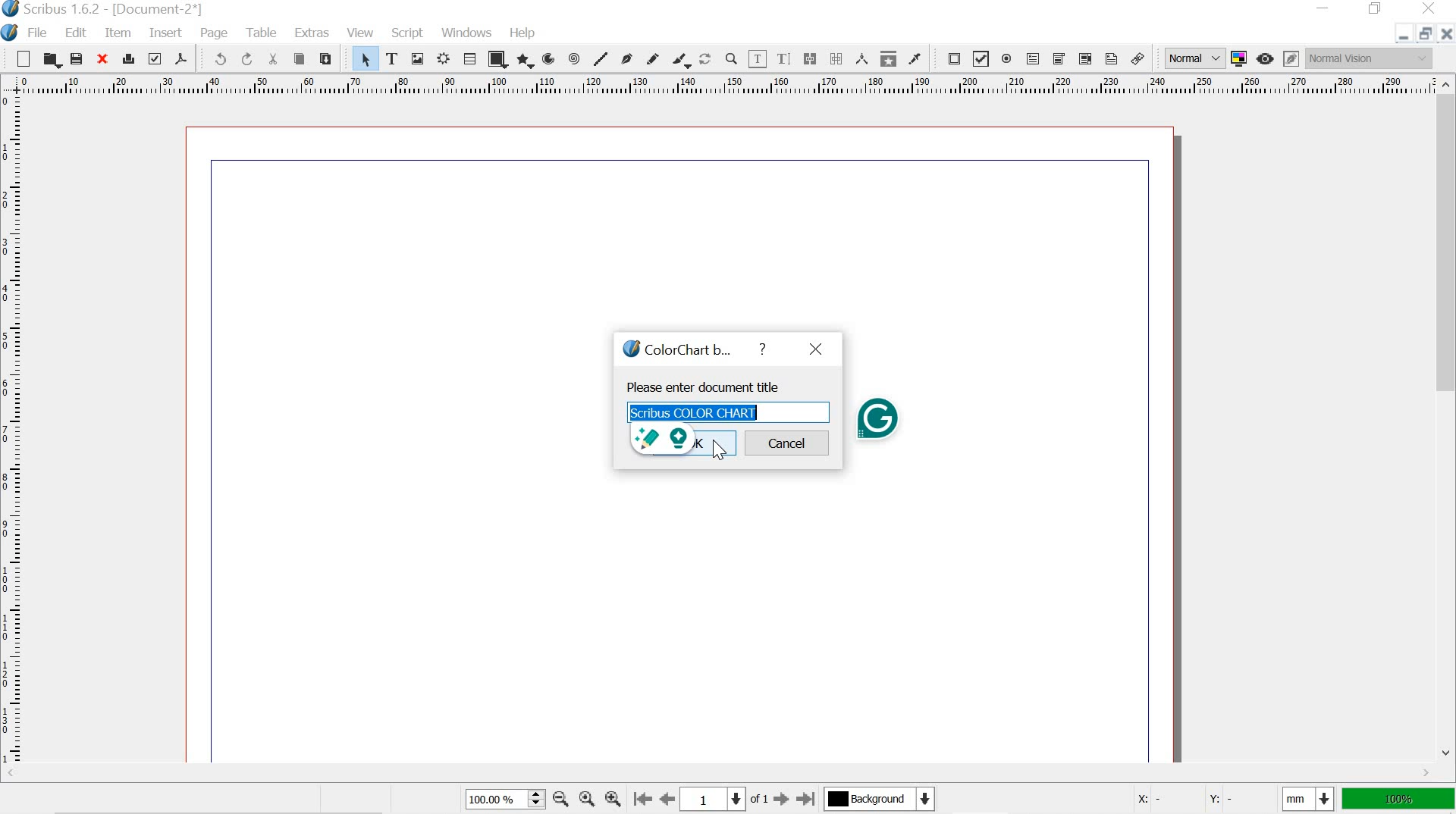  I want to click on cursor, so click(719, 453).